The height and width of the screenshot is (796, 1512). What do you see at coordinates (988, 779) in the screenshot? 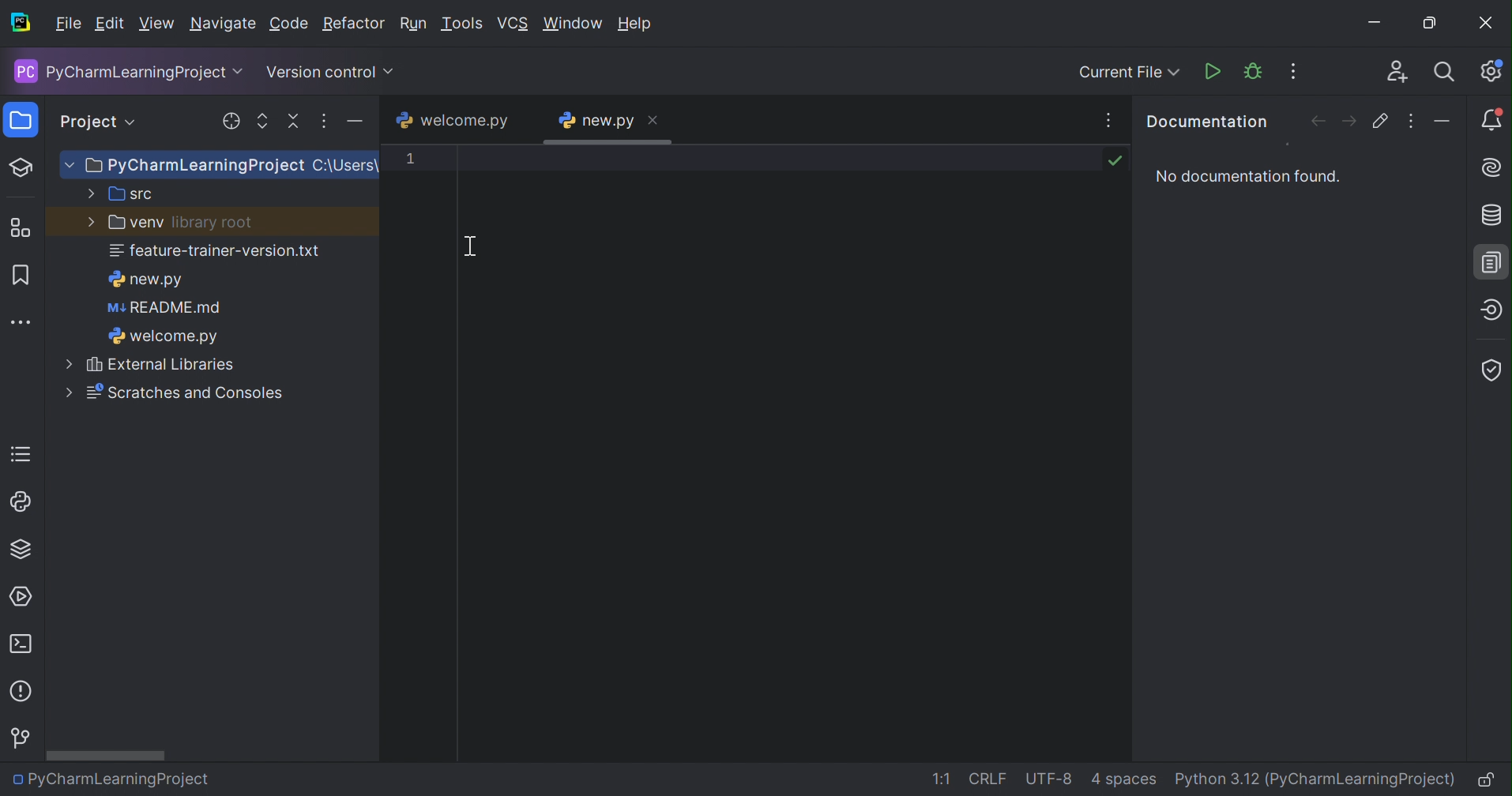
I see `CRLF` at bounding box center [988, 779].